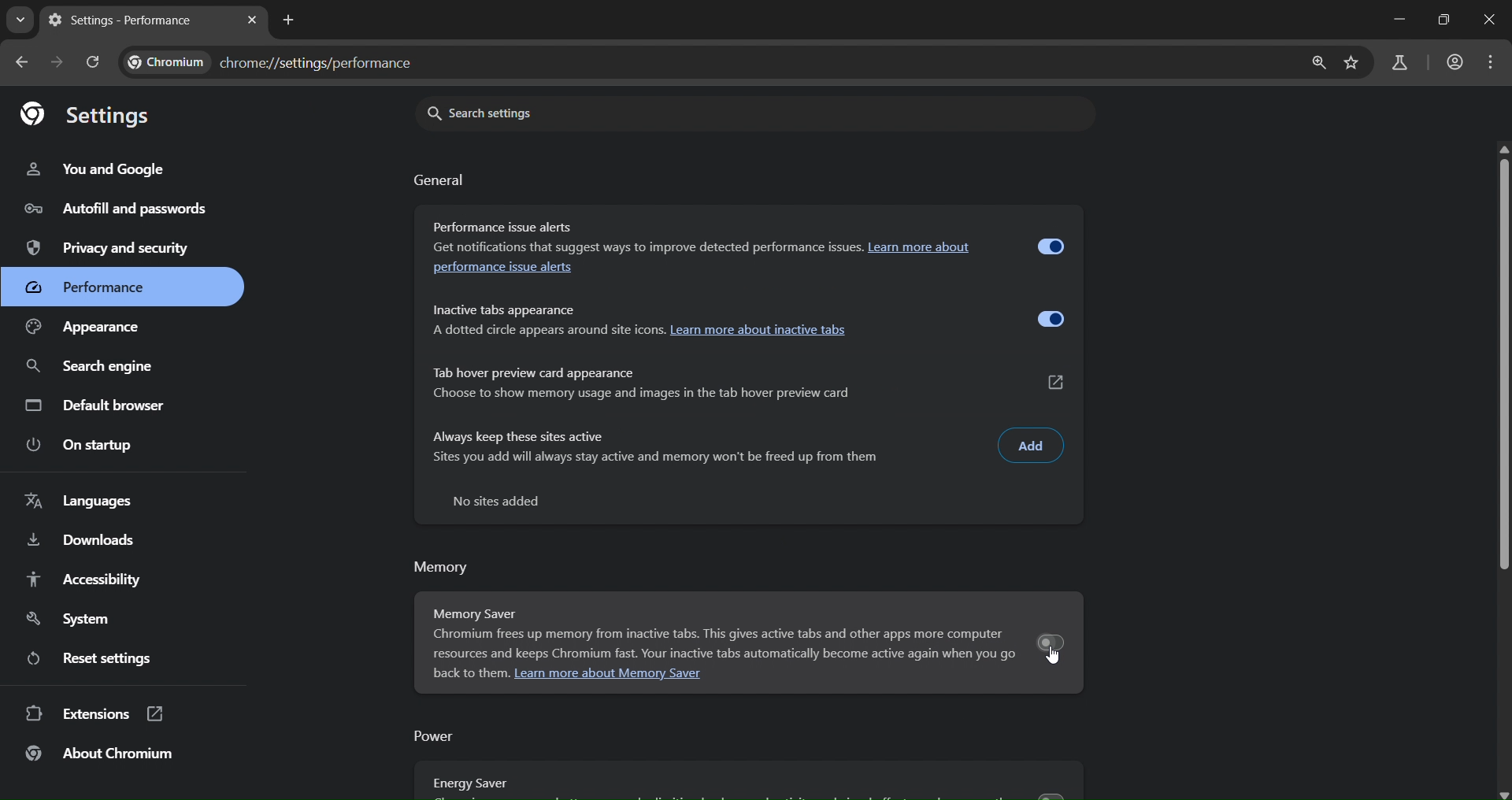  I want to click on tab hover preview card appearance, so click(535, 372).